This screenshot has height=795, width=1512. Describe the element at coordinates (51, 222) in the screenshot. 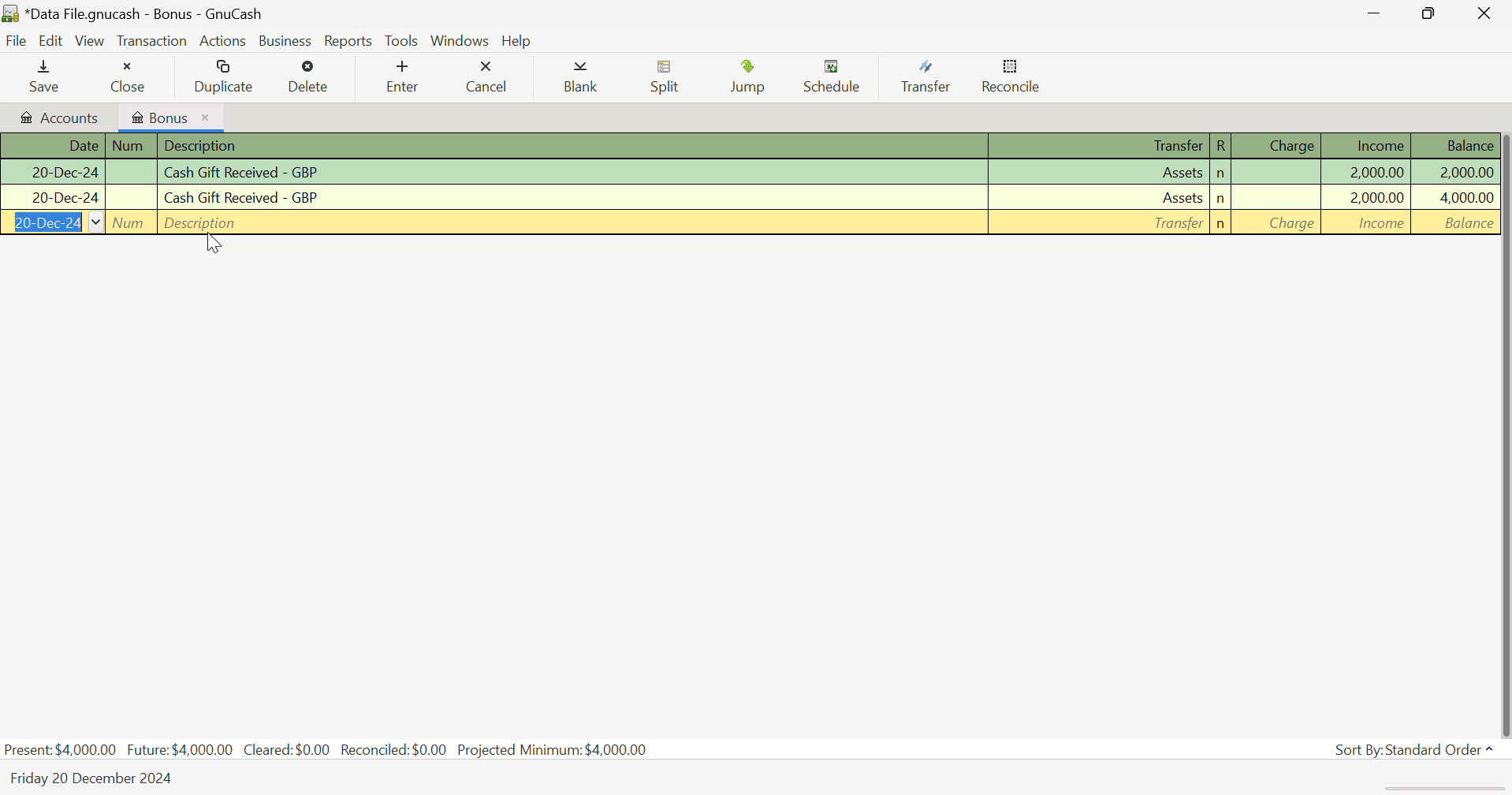

I see `Date` at that location.